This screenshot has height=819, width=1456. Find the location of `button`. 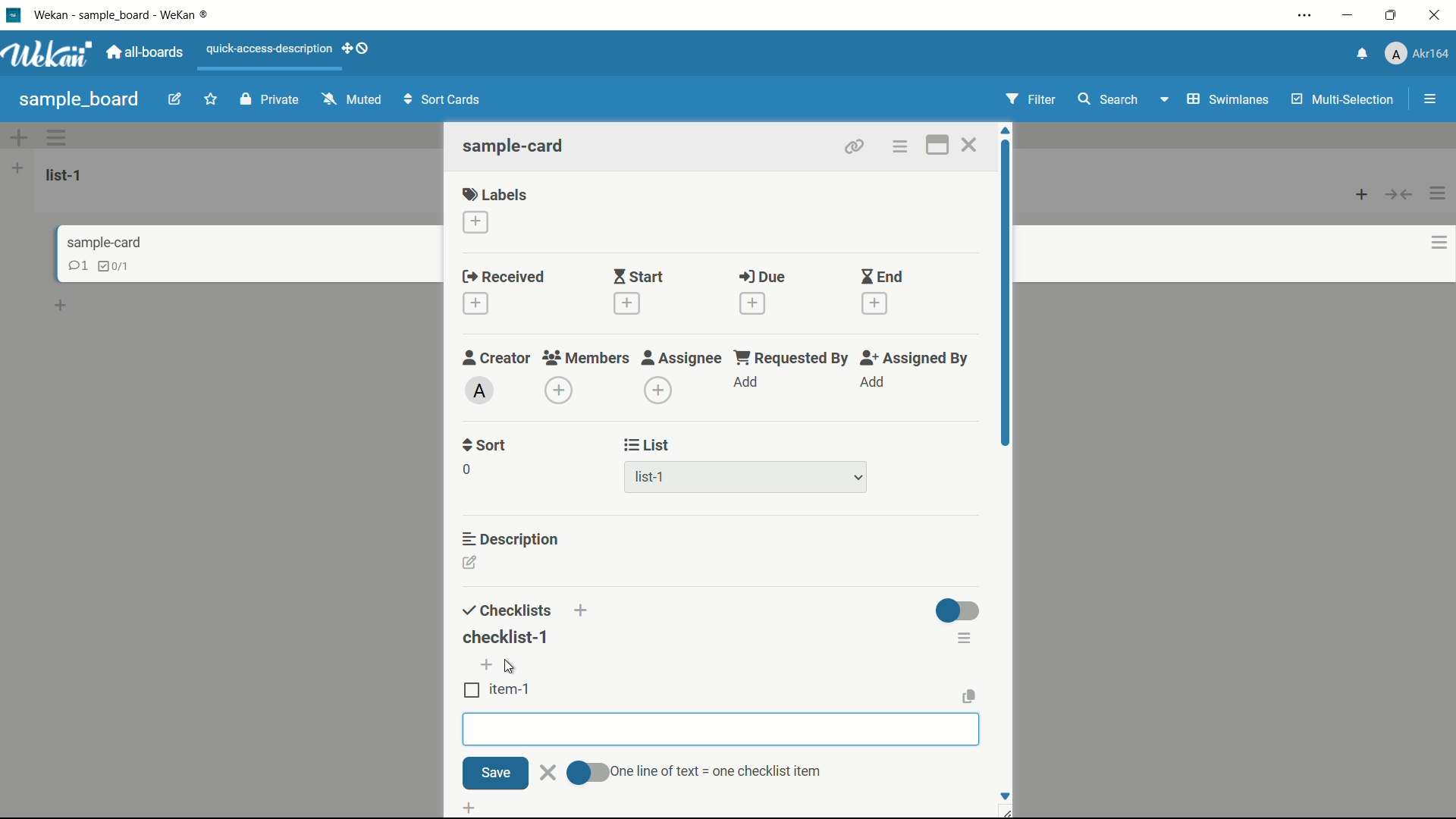

button is located at coordinates (1403, 193).